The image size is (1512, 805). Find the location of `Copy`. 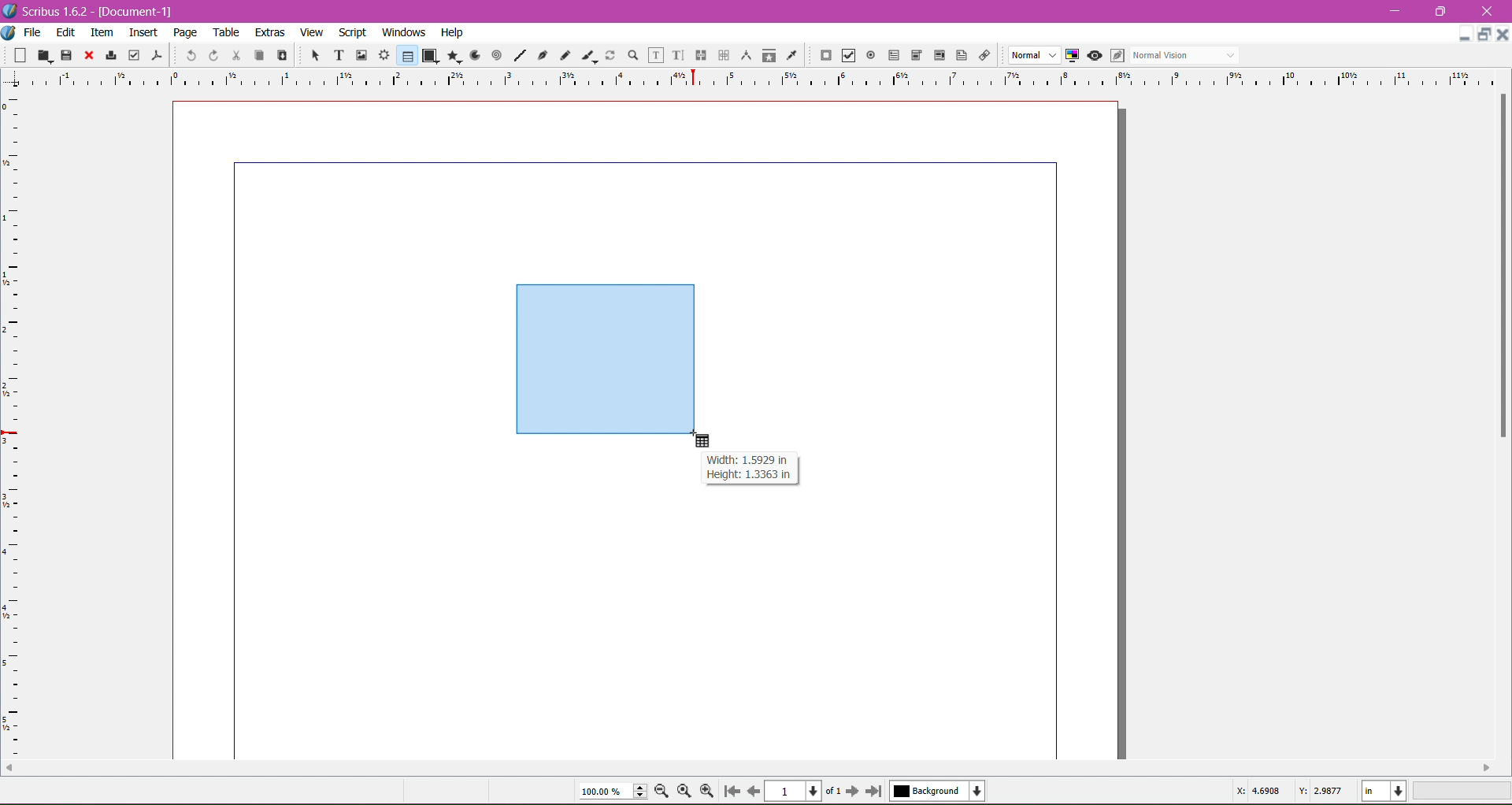

Copy is located at coordinates (257, 54).